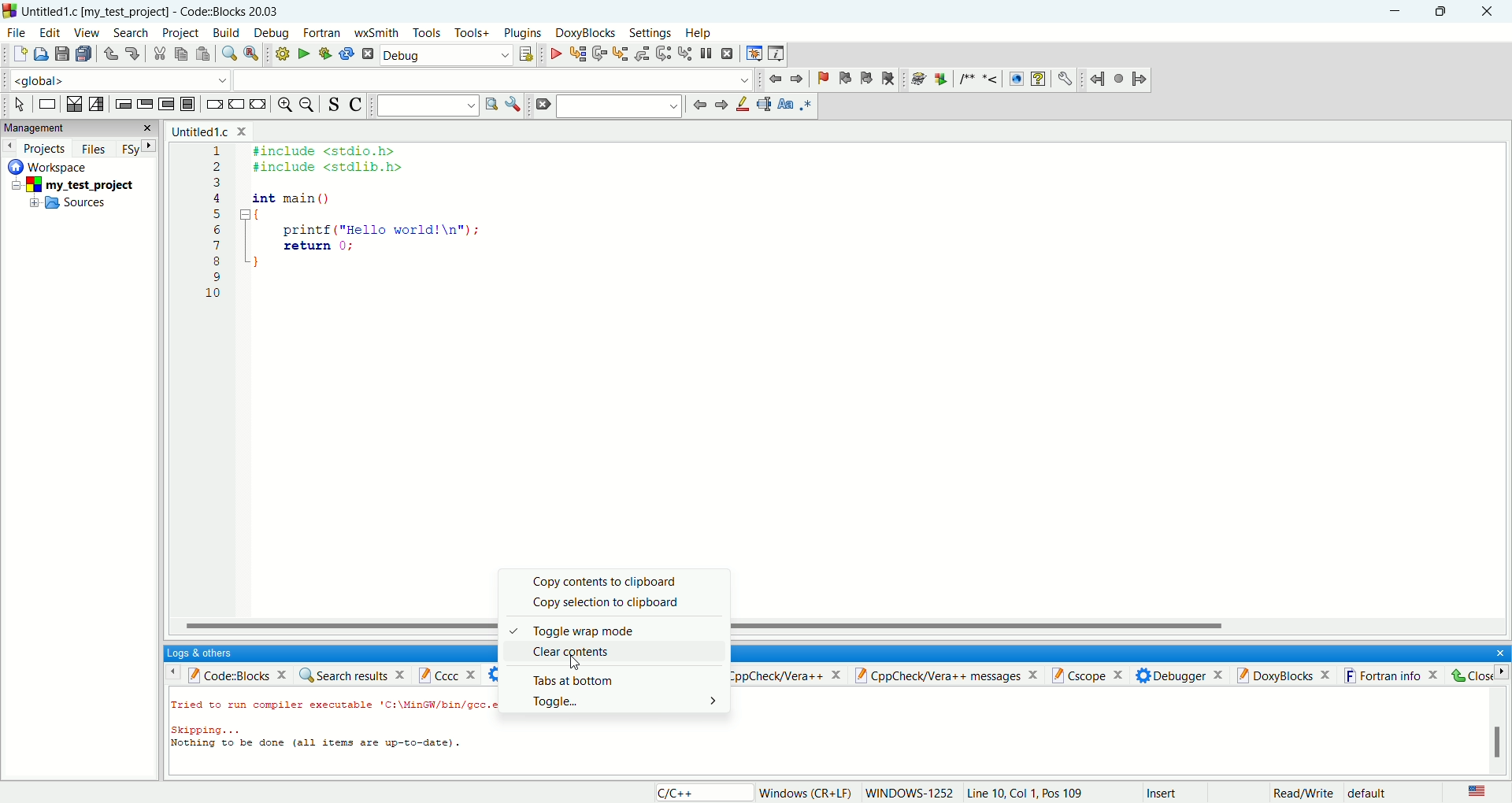 The image size is (1512, 803). What do you see at coordinates (271, 33) in the screenshot?
I see `debug` at bounding box center [271, 33].